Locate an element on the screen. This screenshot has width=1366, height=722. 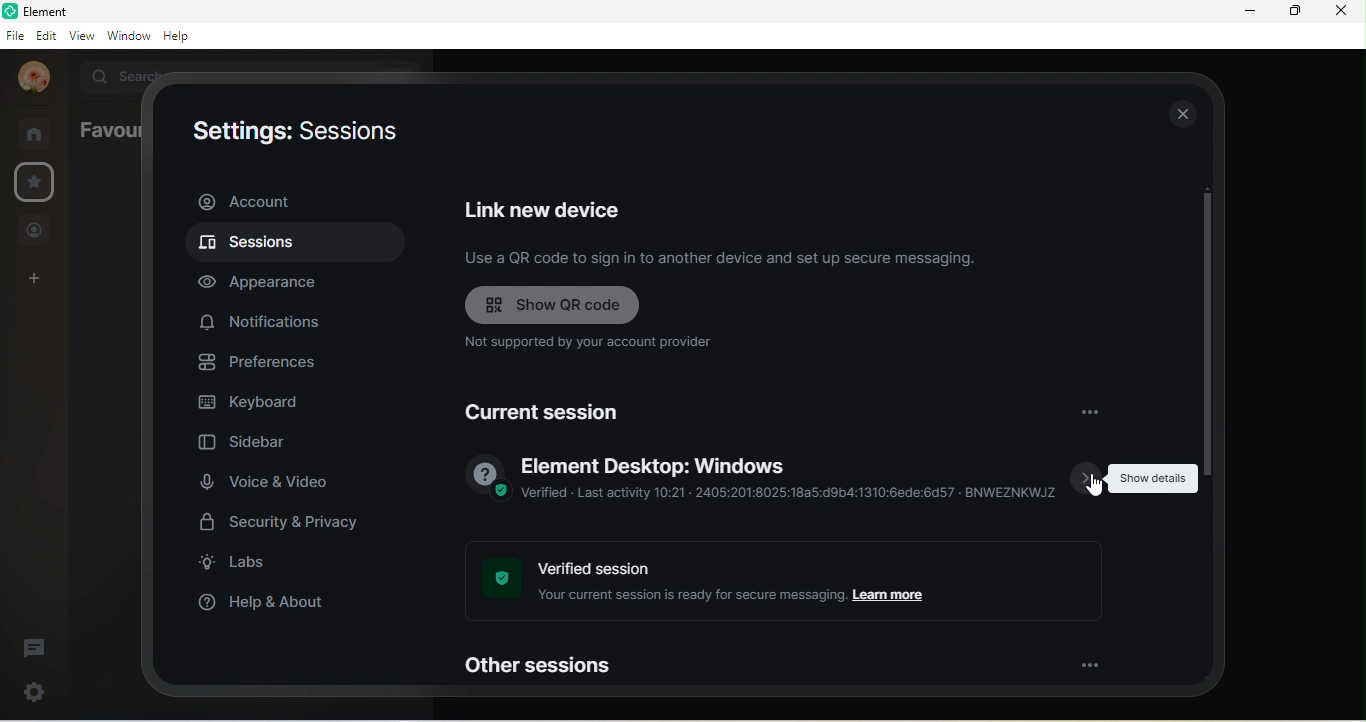
account is located at coordinates (33, 77).